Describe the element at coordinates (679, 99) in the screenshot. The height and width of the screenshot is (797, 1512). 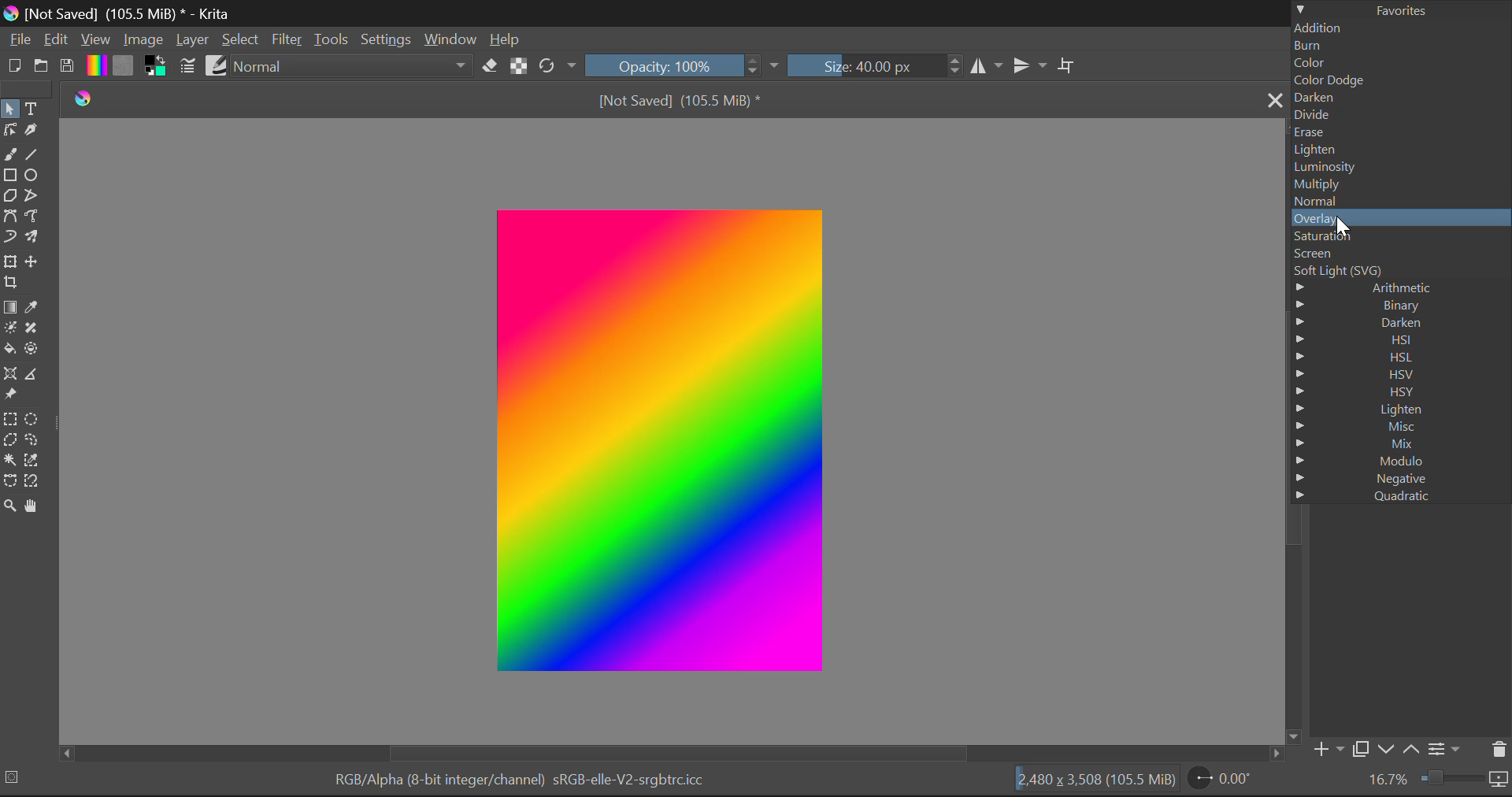
I see `[Not Saved] (105.5 MiB) *` at that location.